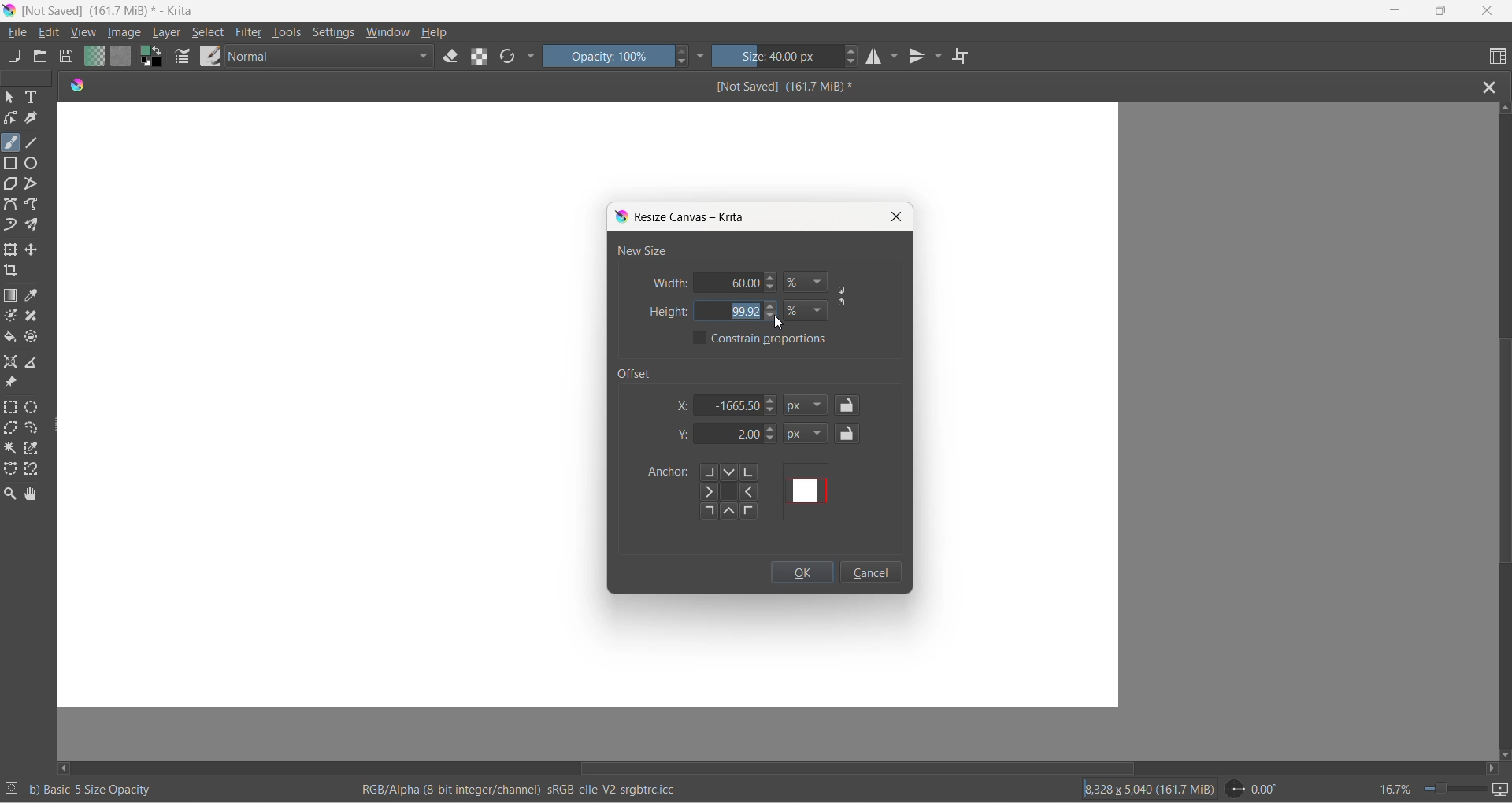 This screenshot has height=803, width=1512. What do you see at coordinates (870, 574) in the screenshot?
I see `cancel` at bounding box center [870, 574].